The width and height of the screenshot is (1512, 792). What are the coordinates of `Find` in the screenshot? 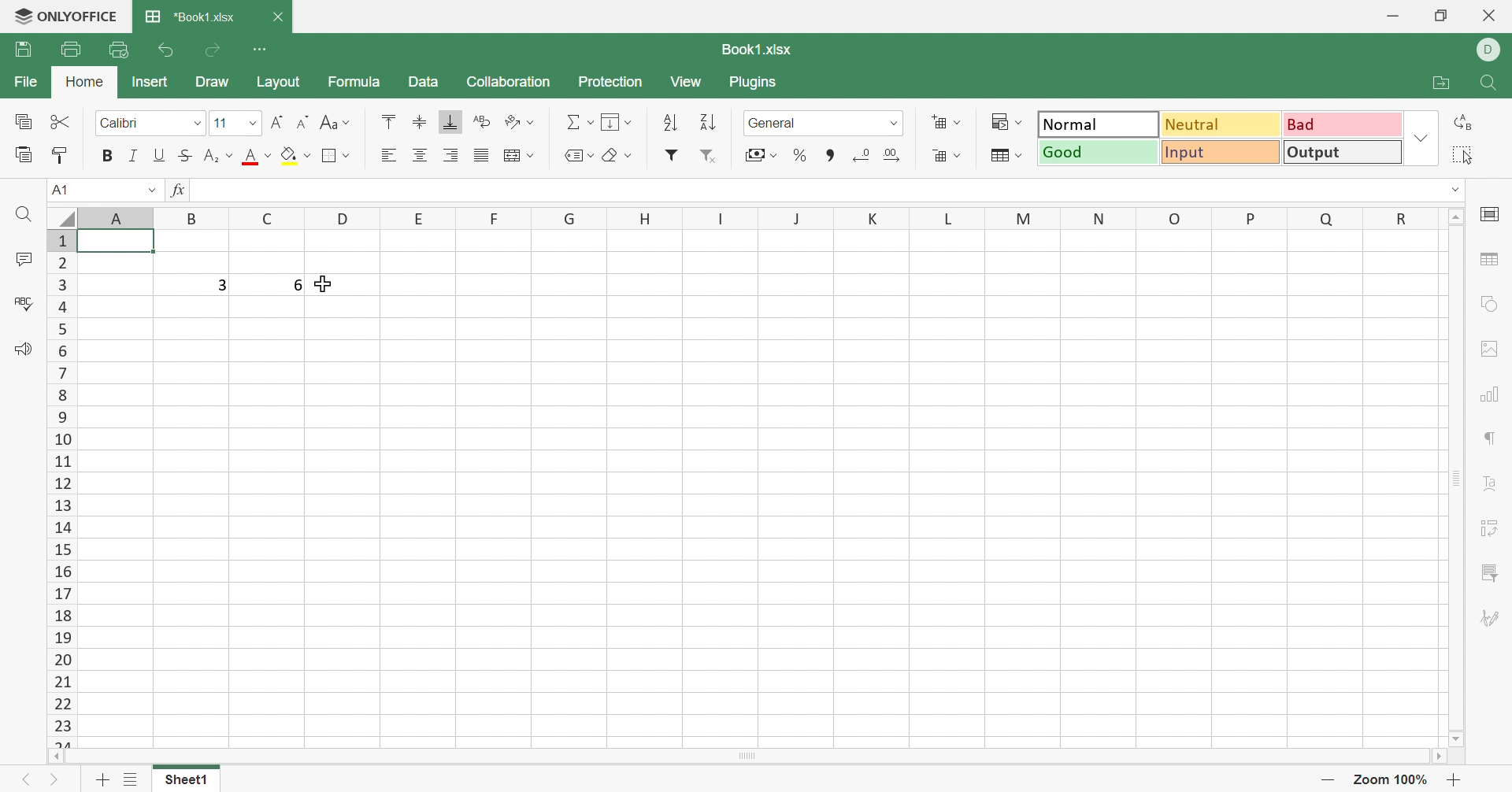 It's located at (27, 217).